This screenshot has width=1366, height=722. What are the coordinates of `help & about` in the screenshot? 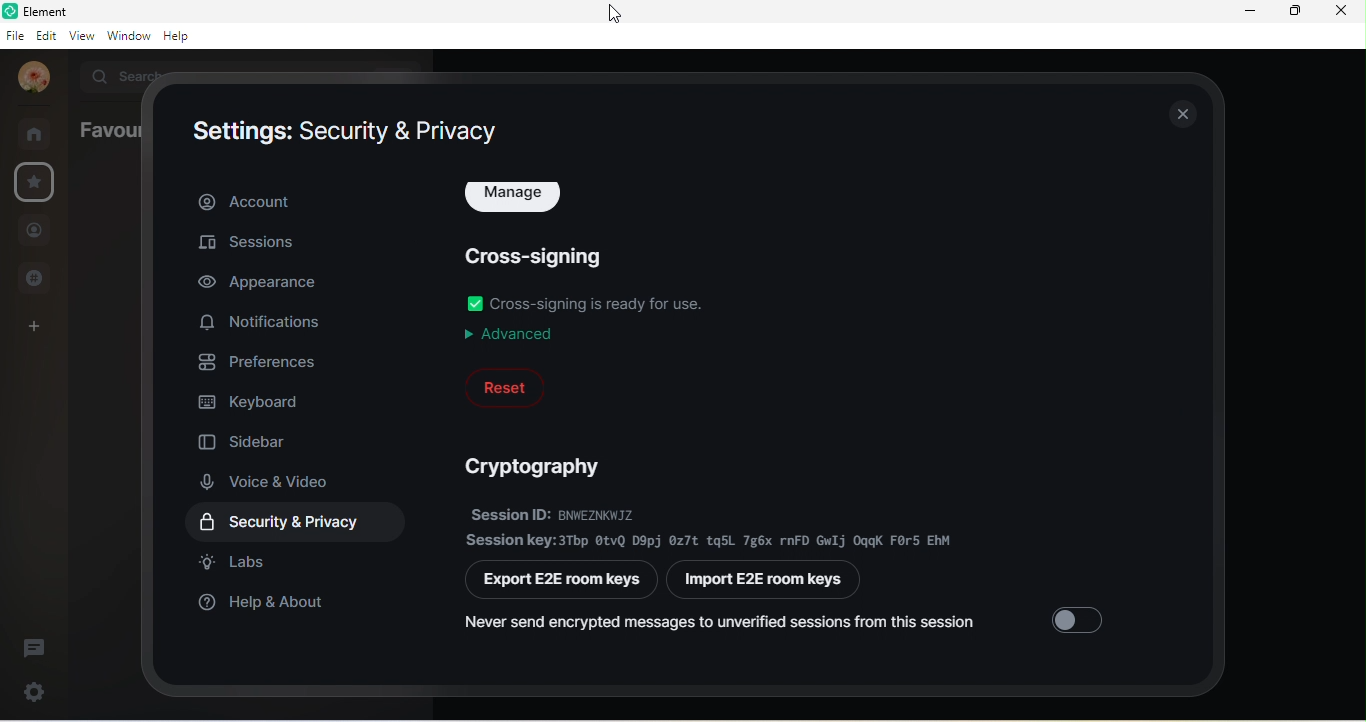 It's located at (268, 609).